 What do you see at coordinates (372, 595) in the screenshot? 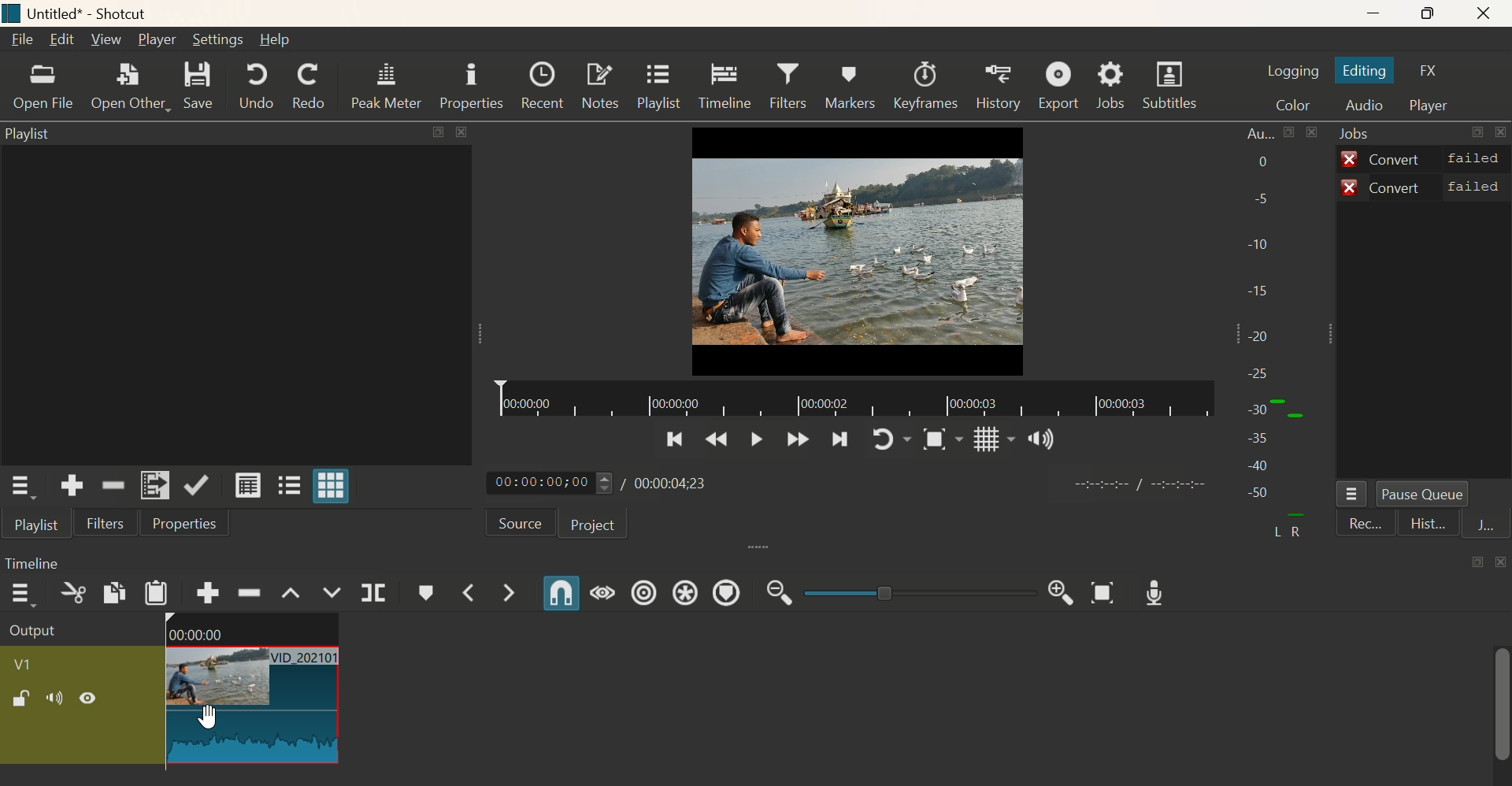
I see `Split at Playhead` at bounding box center [372, 595].